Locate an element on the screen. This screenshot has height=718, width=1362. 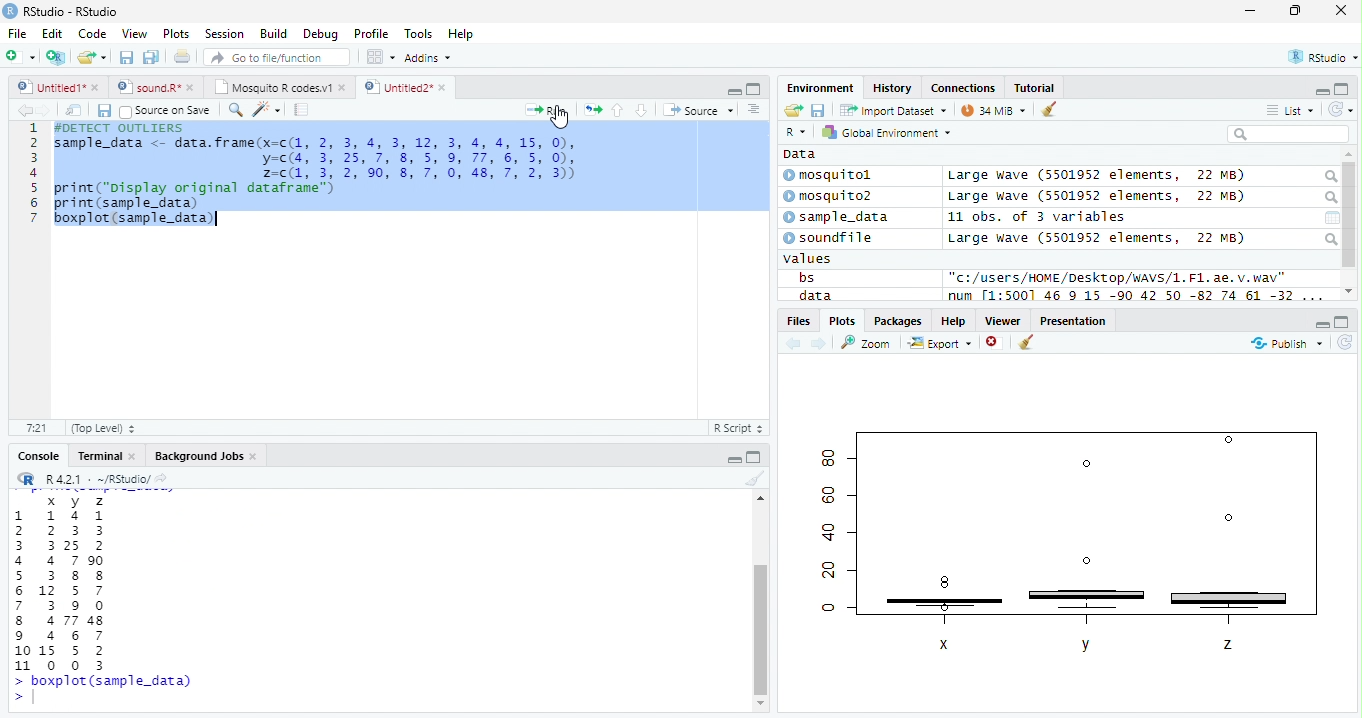
Export is located at coordinates (940, 344).